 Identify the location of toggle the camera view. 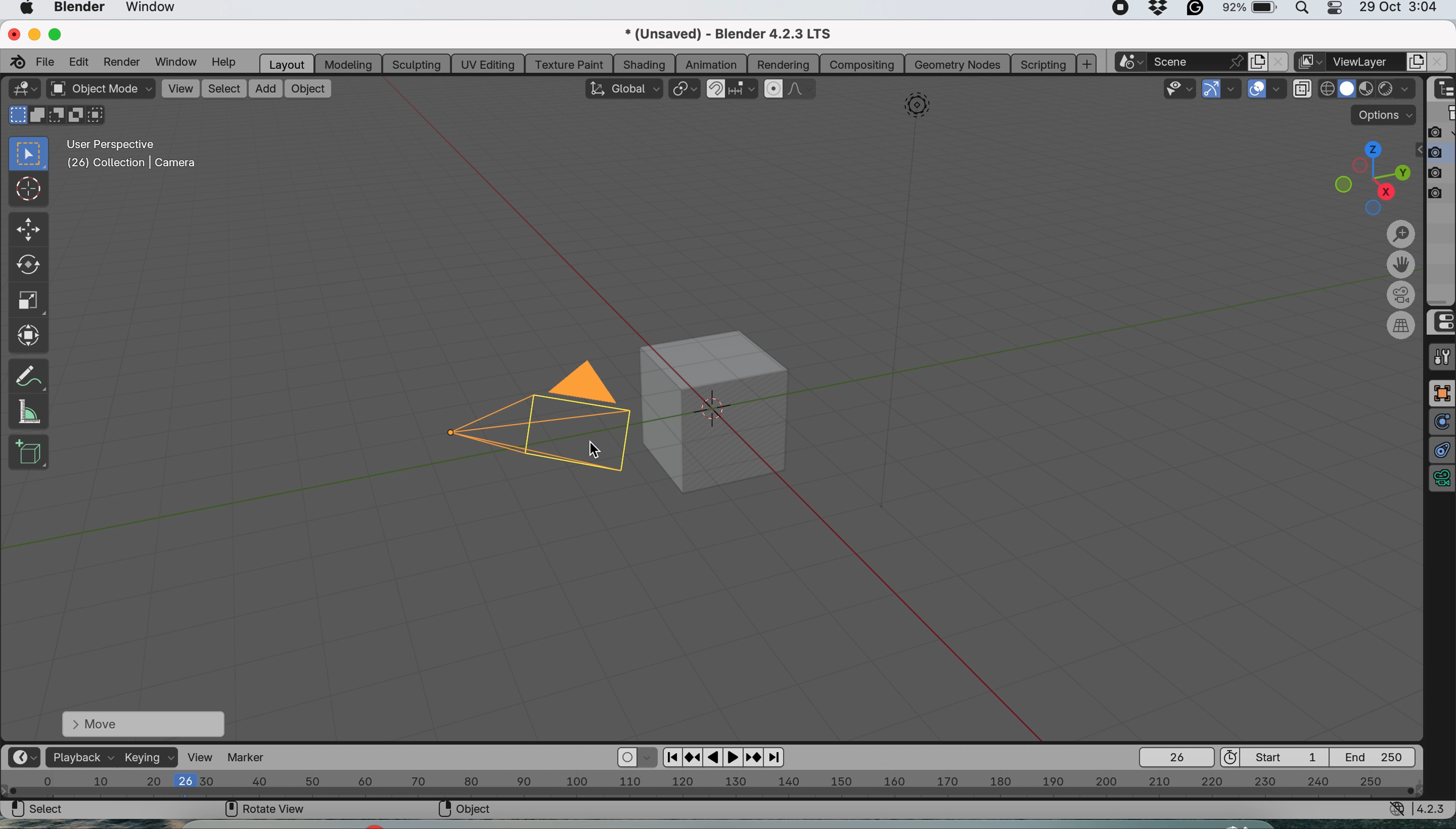
(1403, 296).